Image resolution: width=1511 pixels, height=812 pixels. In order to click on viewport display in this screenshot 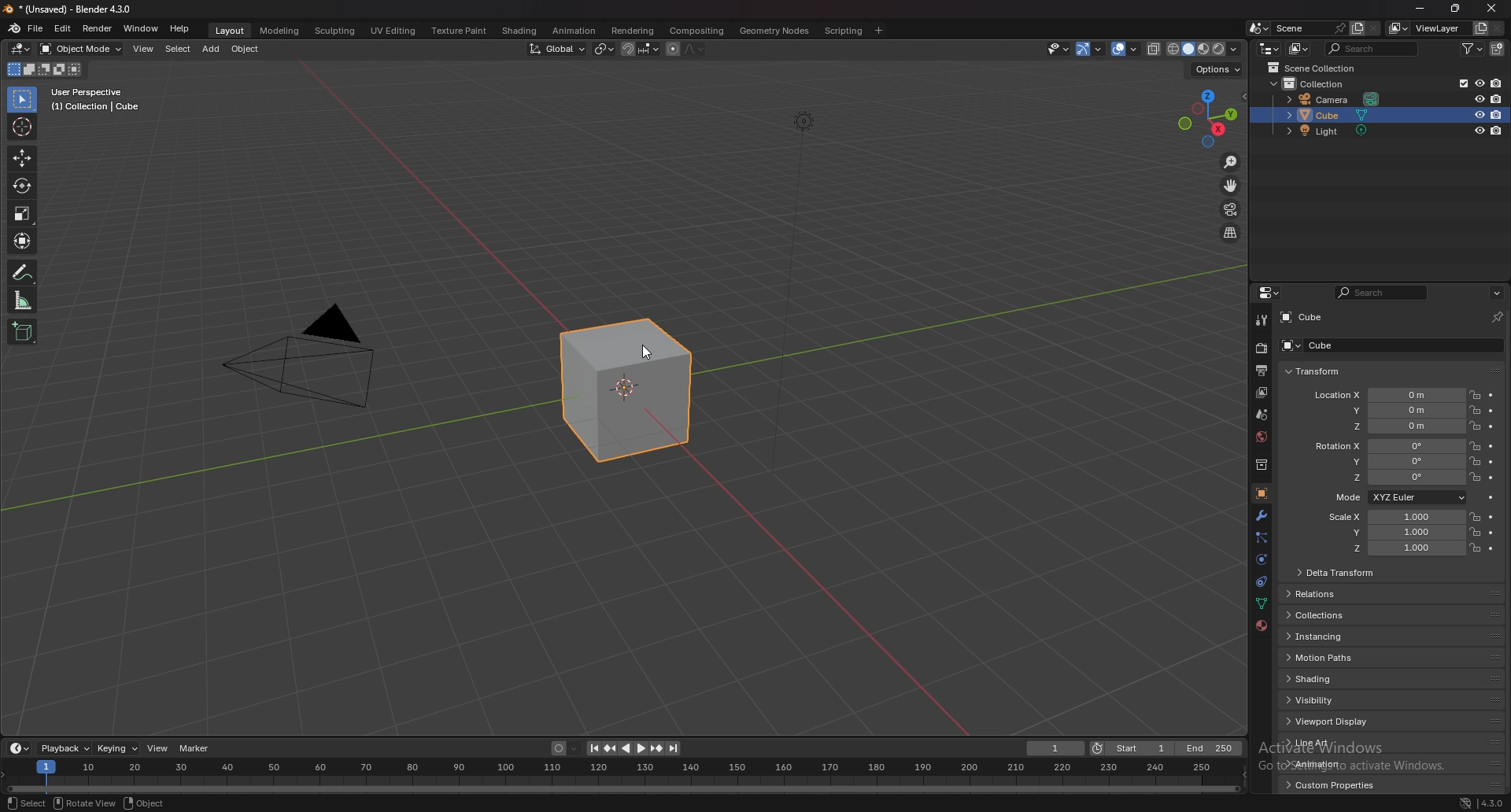, I will do `click(1332, 722)`.